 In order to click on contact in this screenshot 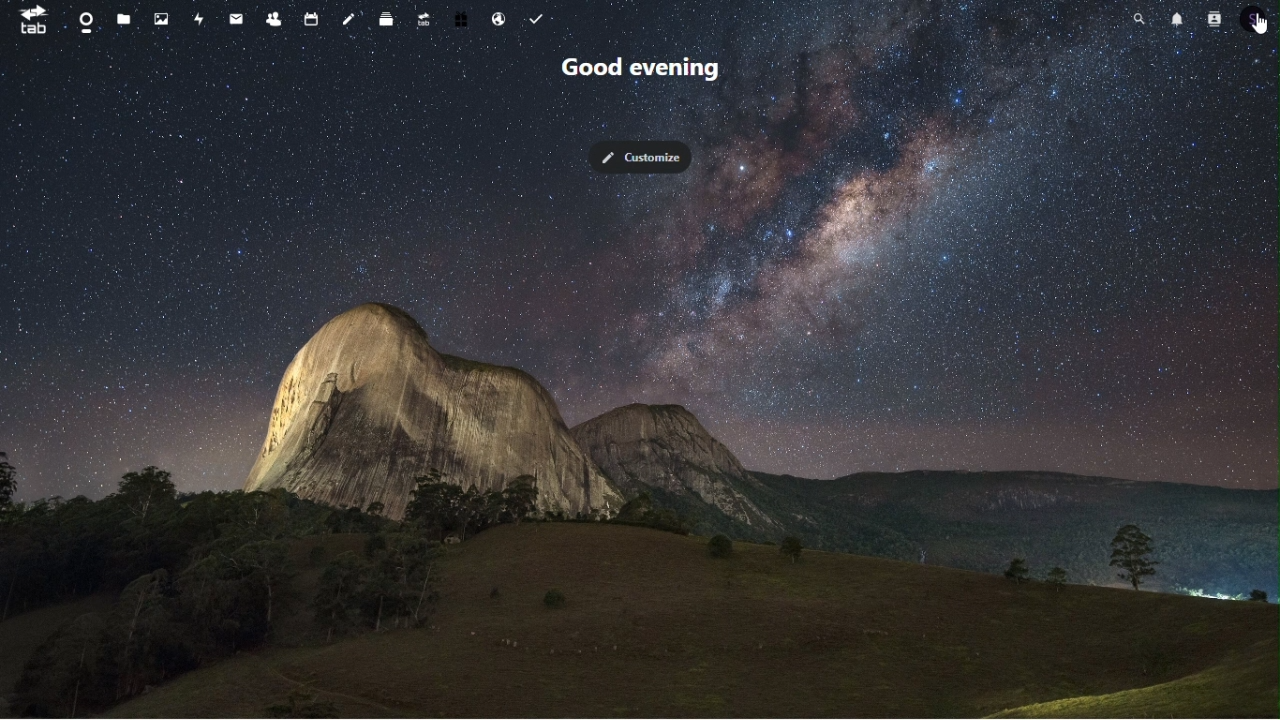, I will do `click(1215, 19)`.